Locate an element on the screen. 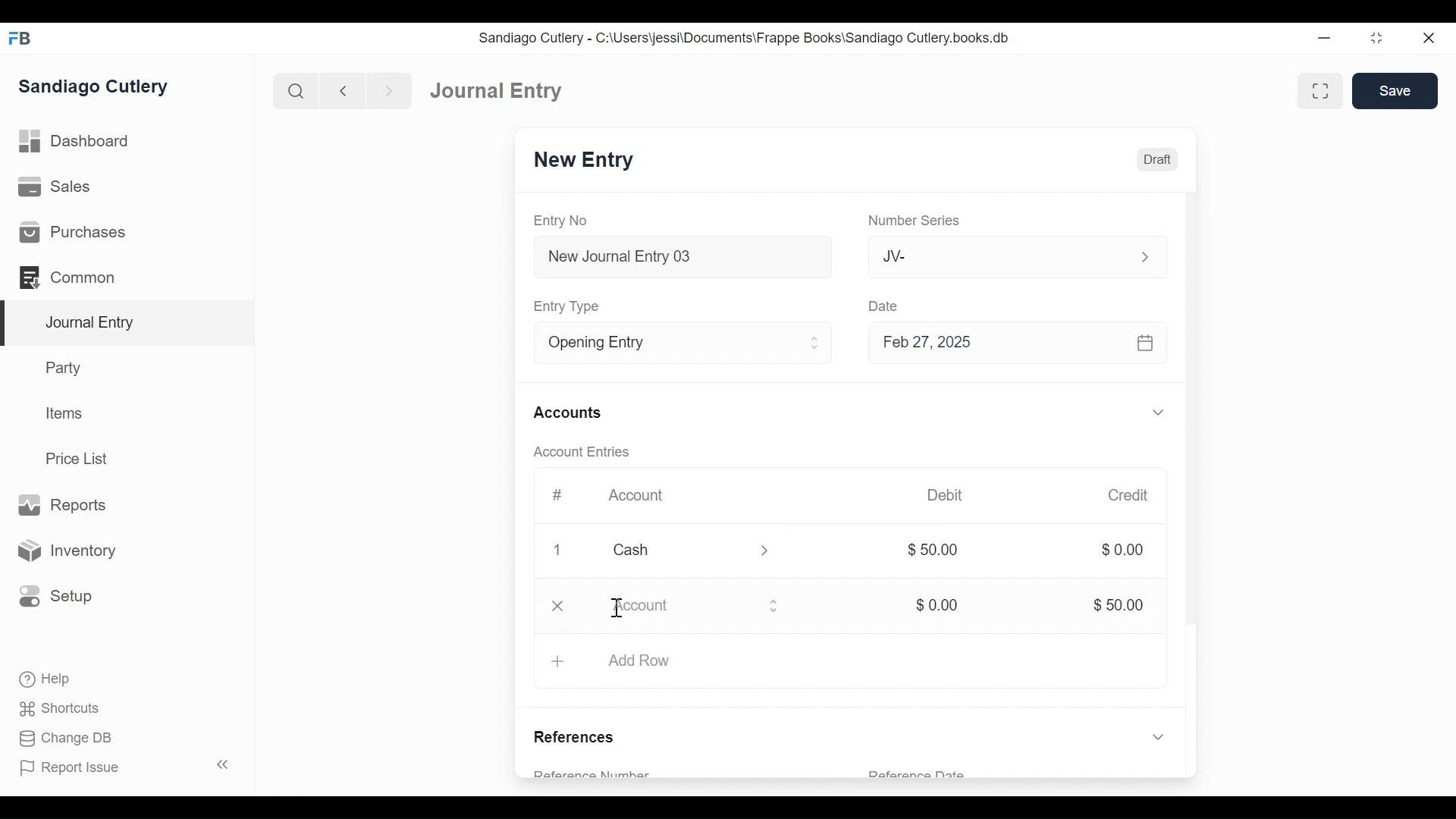 This screenshot has width=1456, height=819. Feb 27, 2025 is located at coordinates (1015, 344).